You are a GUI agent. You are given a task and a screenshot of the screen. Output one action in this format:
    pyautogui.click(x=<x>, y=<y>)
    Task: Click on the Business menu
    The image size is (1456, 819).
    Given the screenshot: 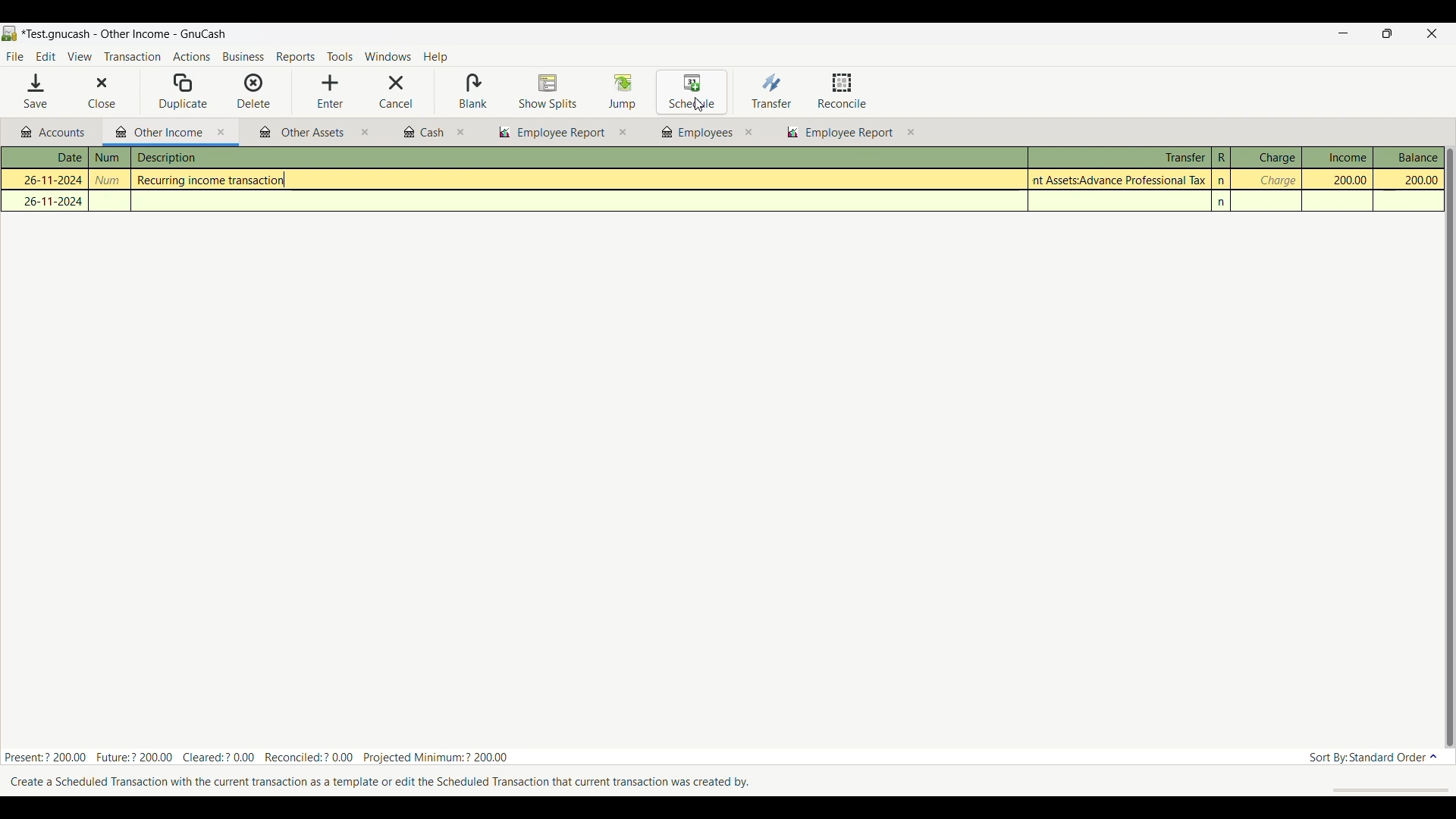 What is the action you would take?
    pyautogui.click(x=243, y=58)
    